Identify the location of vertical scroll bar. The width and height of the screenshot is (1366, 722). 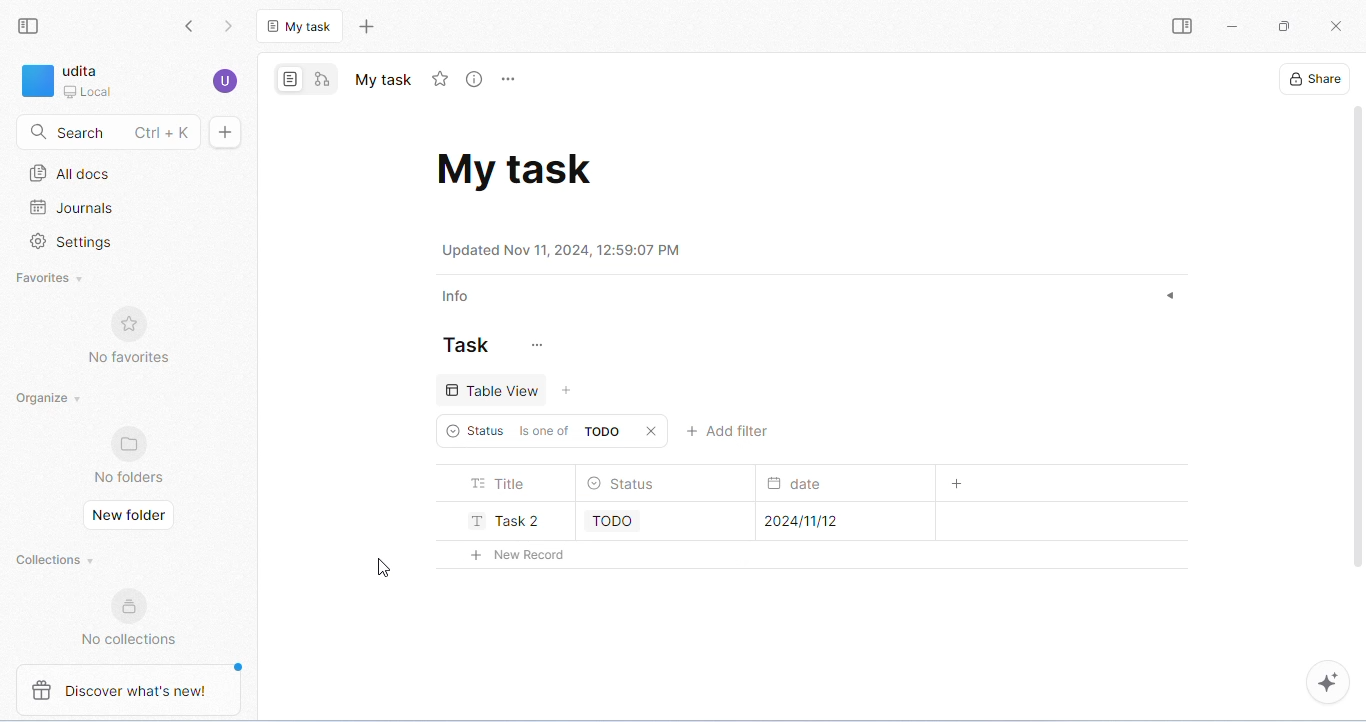
(1357, 348).